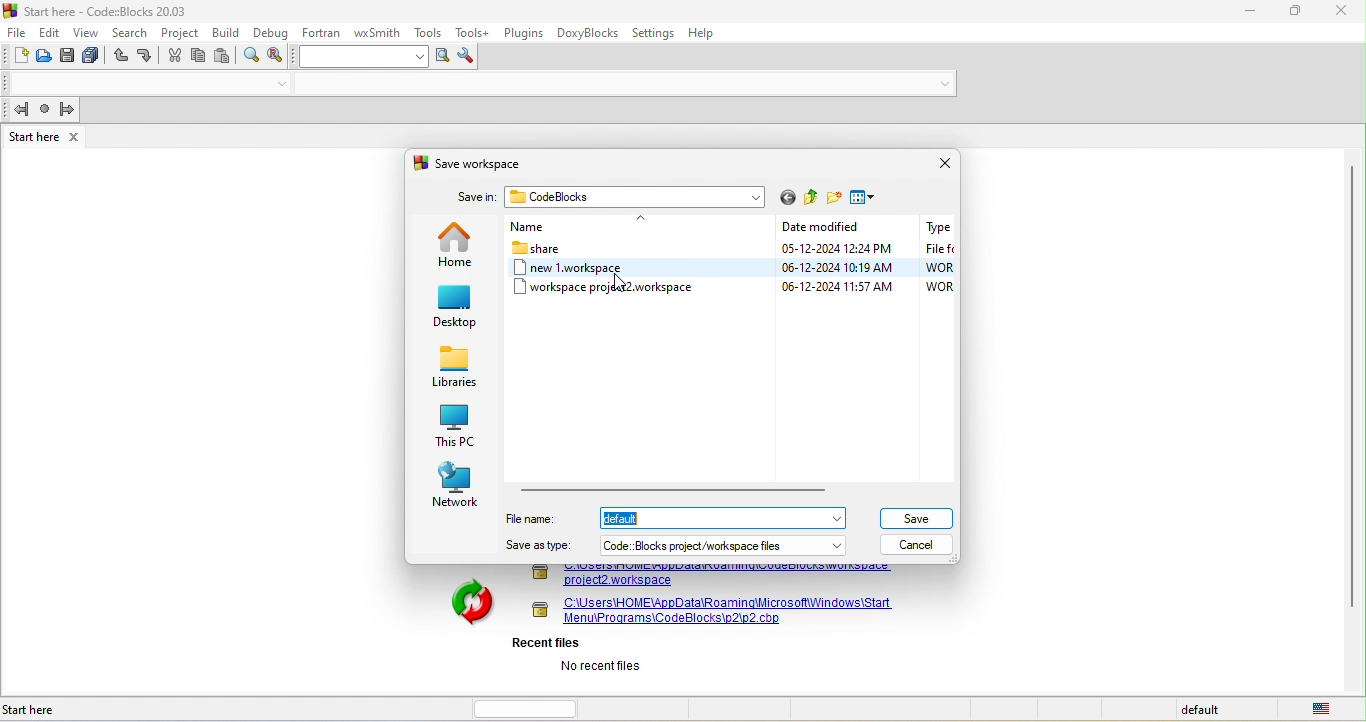 Image resolution: width=1366 pixels, height=722 pixels. What do you see at coordinates (120, 58) in the screenshot?
I see `undo` at bounding box center [120, 58].